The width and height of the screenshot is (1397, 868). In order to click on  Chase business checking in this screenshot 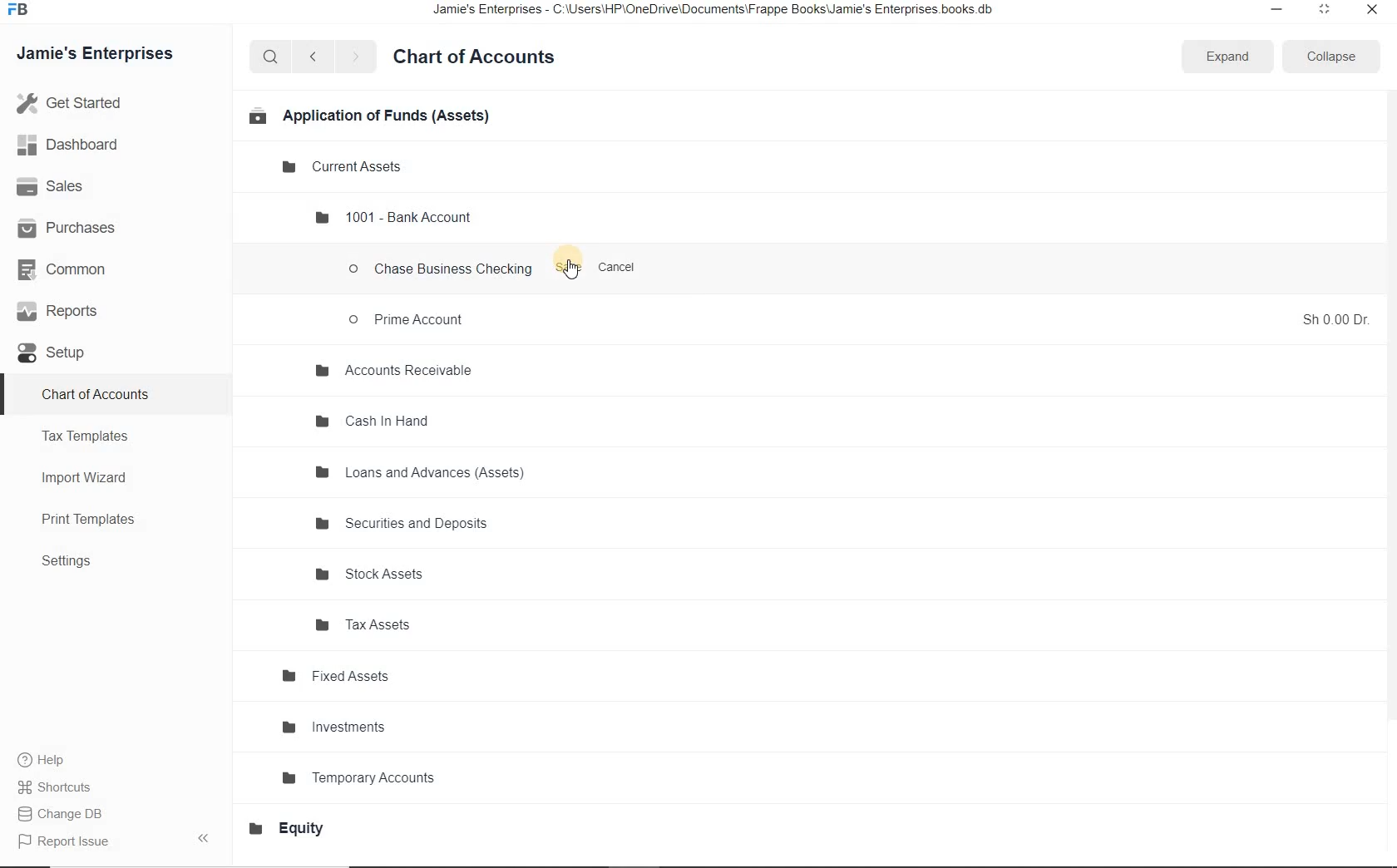, I will do `click(442, 271)`.